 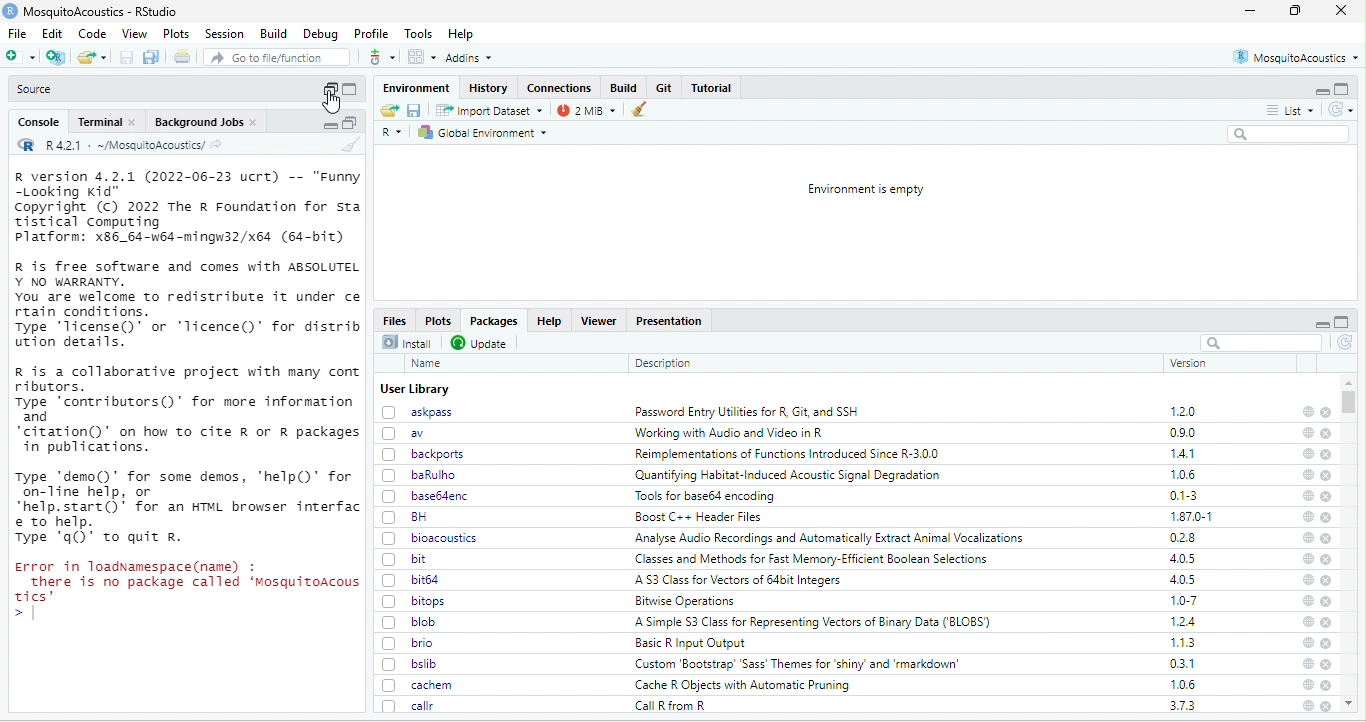 What do you see at coordinates (350, 145) in the screenshot?
I see `clear console` at bounding box center [350, 145].